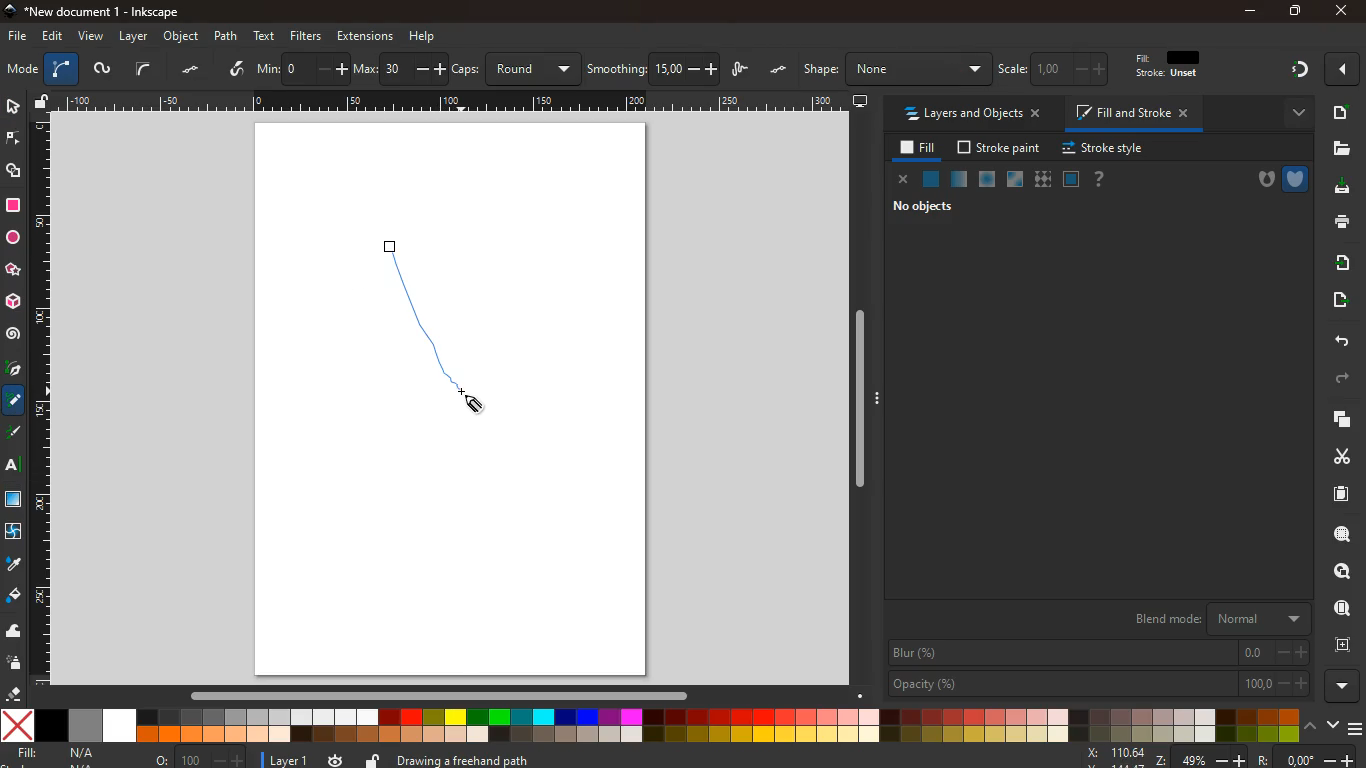 The image size is (1366, 768). What do you see at coordinates (1135, 112) in the screenshot?
I see `fill and stroke` at bounding box center [1135, 112].